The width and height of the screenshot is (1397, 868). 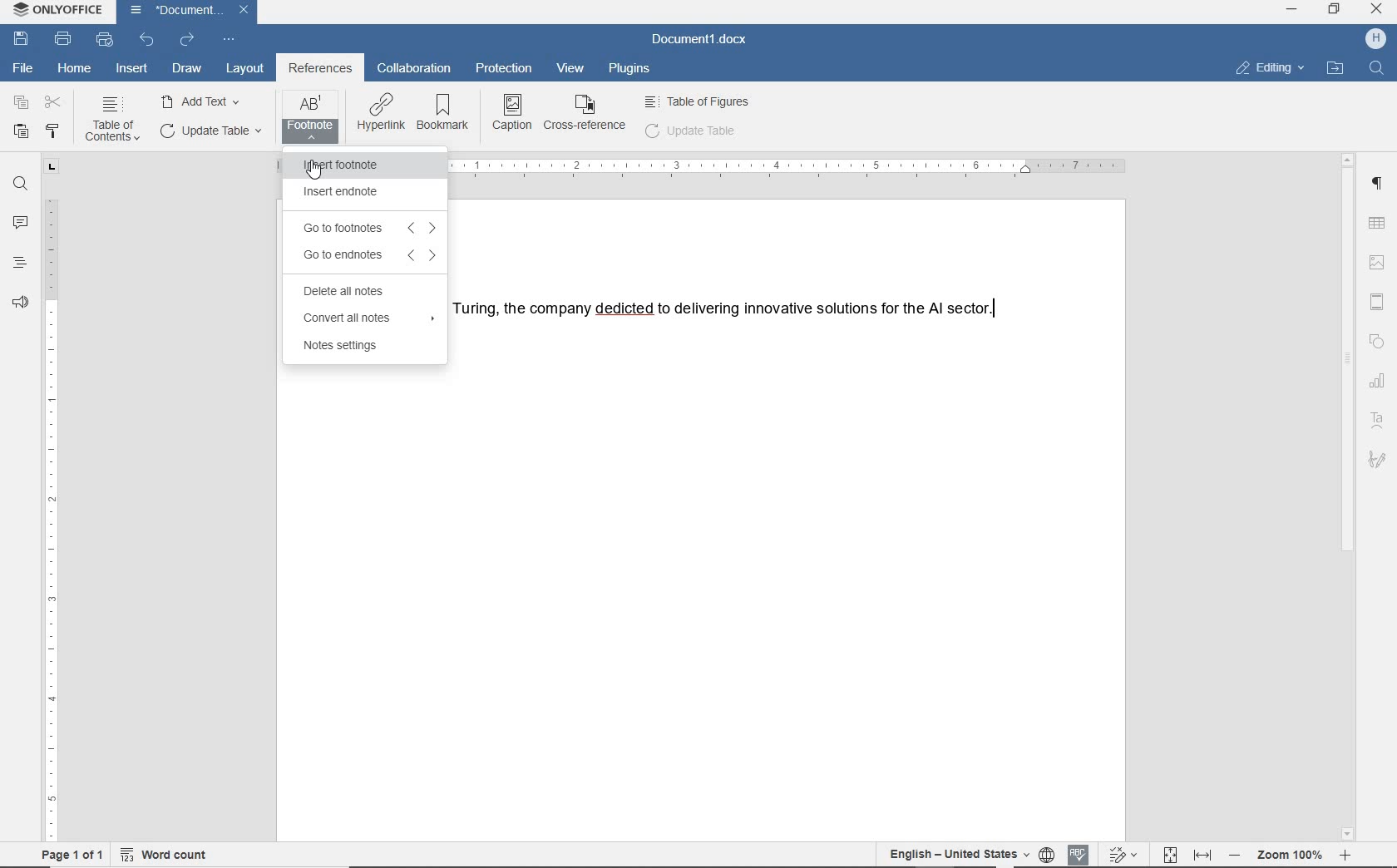 What do you see at coordinates (202, 101) in the screenshot?
I see `addtext` at bounding box center [202, 101].